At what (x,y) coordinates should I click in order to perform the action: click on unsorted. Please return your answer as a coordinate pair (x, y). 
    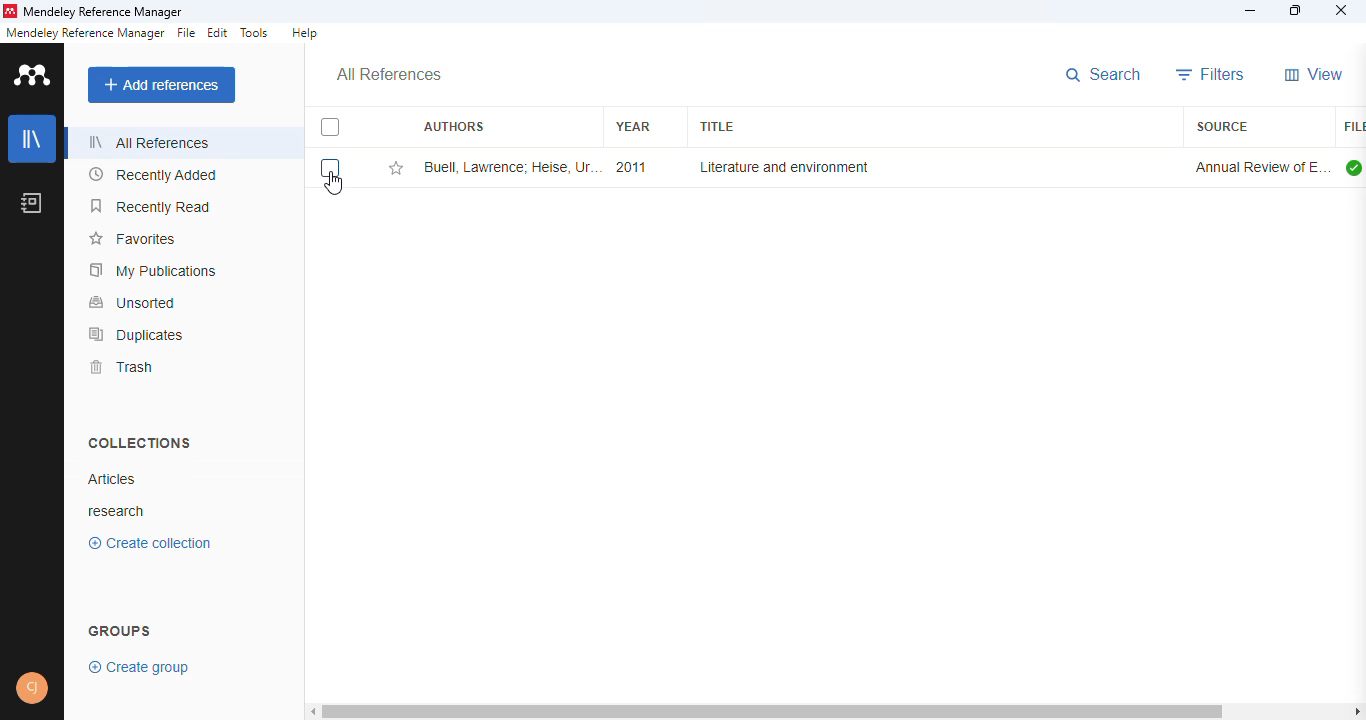
    Looking at the image, I should click on (134, 303).